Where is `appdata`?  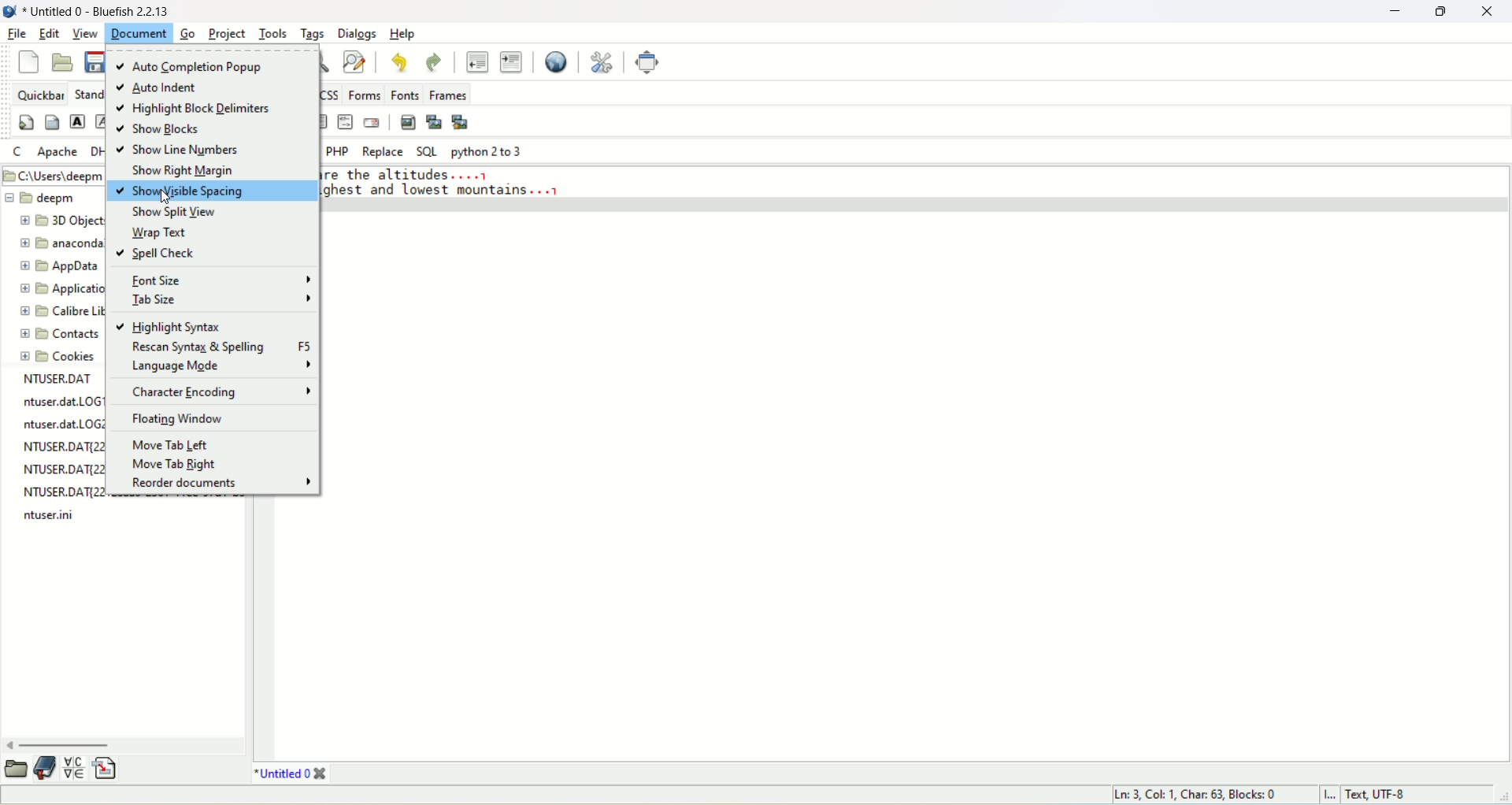 appdata is located at coordinates (62, 268).